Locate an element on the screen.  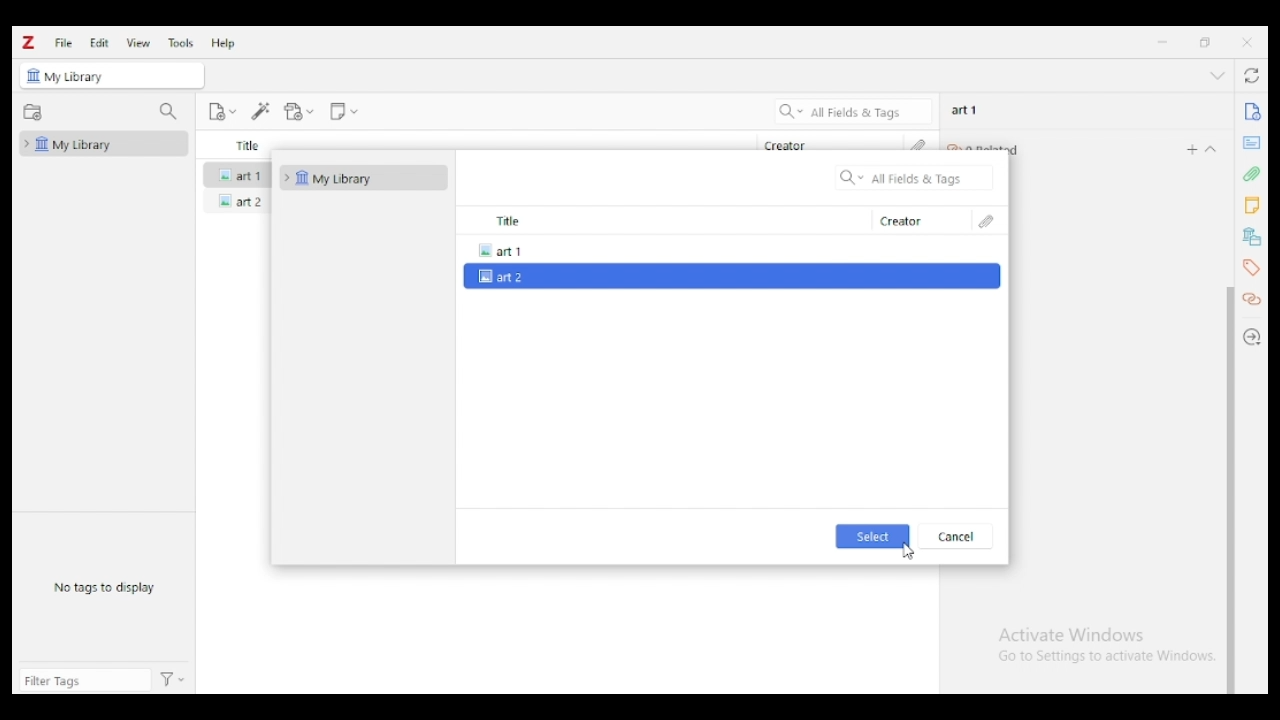
abstract is located at coordinates (1251, 143).